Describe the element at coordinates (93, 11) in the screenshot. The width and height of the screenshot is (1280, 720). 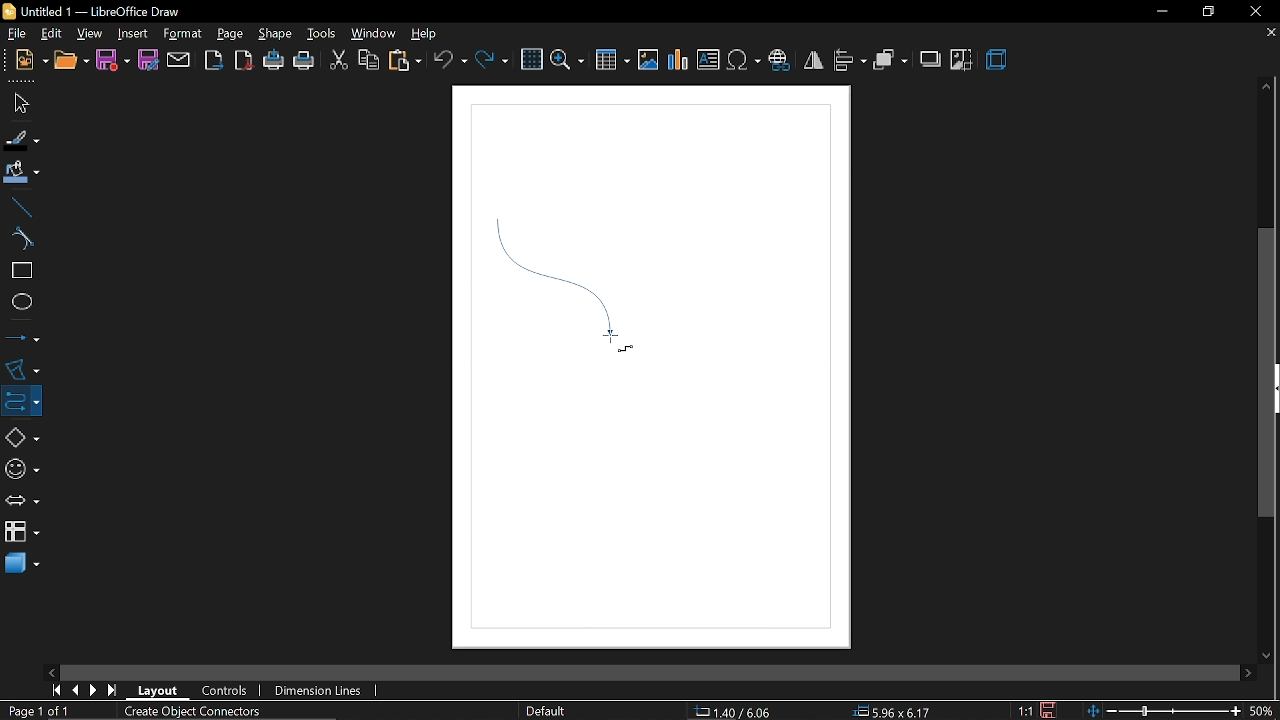
I see `Untitled 1 - LibreOffice Draw` at that location.